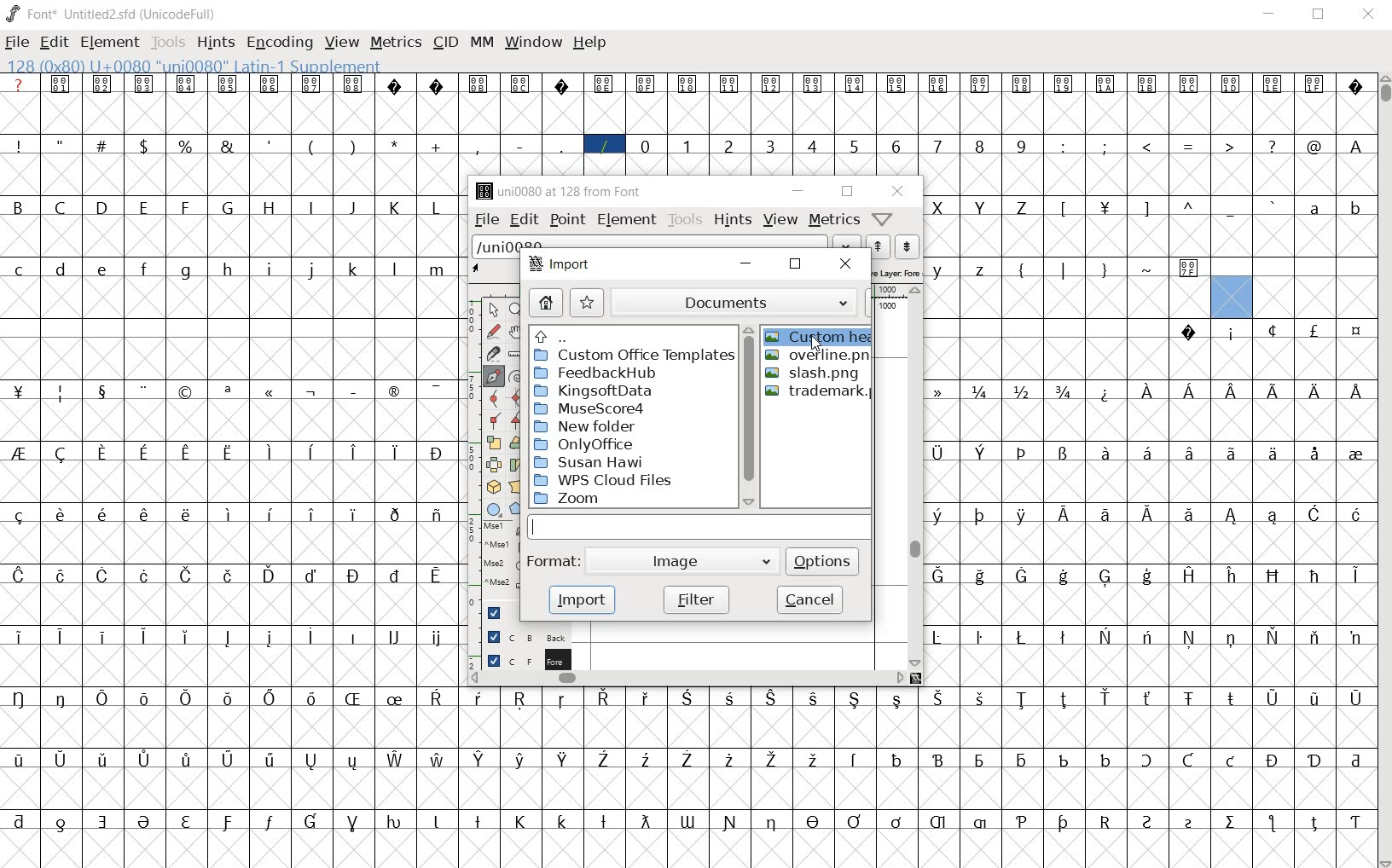 This screenshot has width=1392, height=868. I want to click on glyph, so click(355, 269).